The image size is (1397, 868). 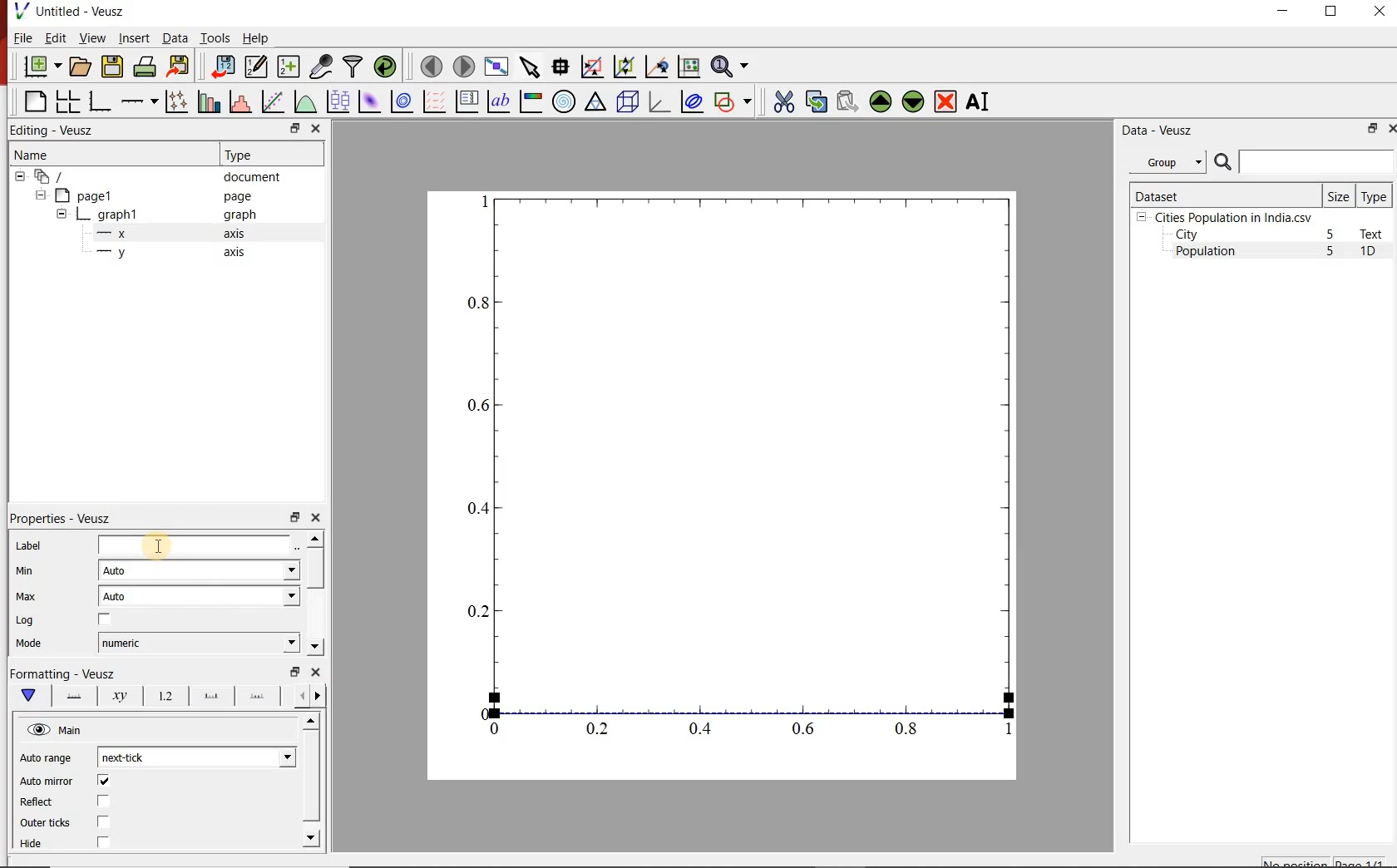 I want to click on Mode, so click(x=33, y=644).